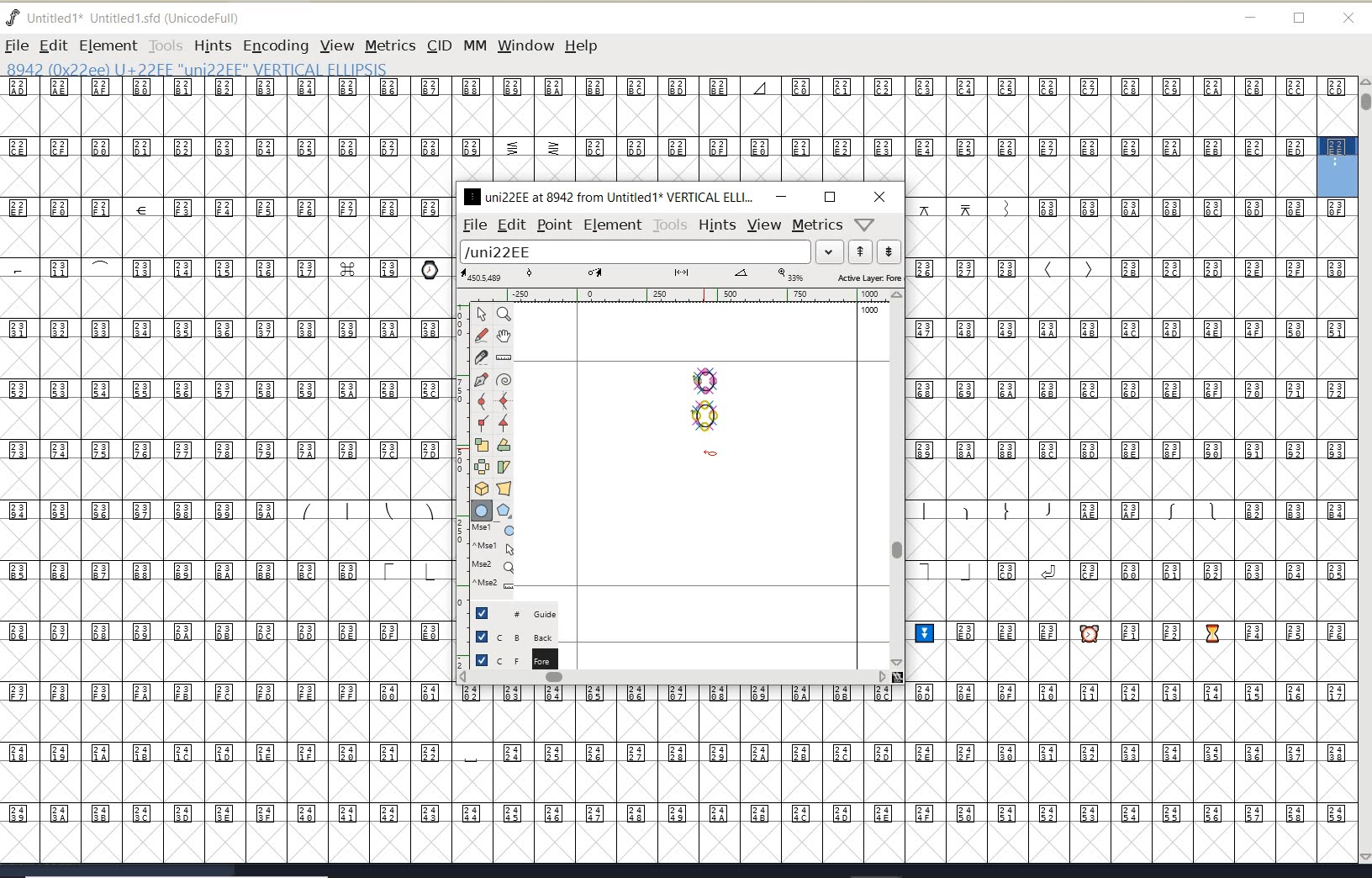 The height and width of the screenshot is (878, 1372). I want to click on element, so click(613, 225).